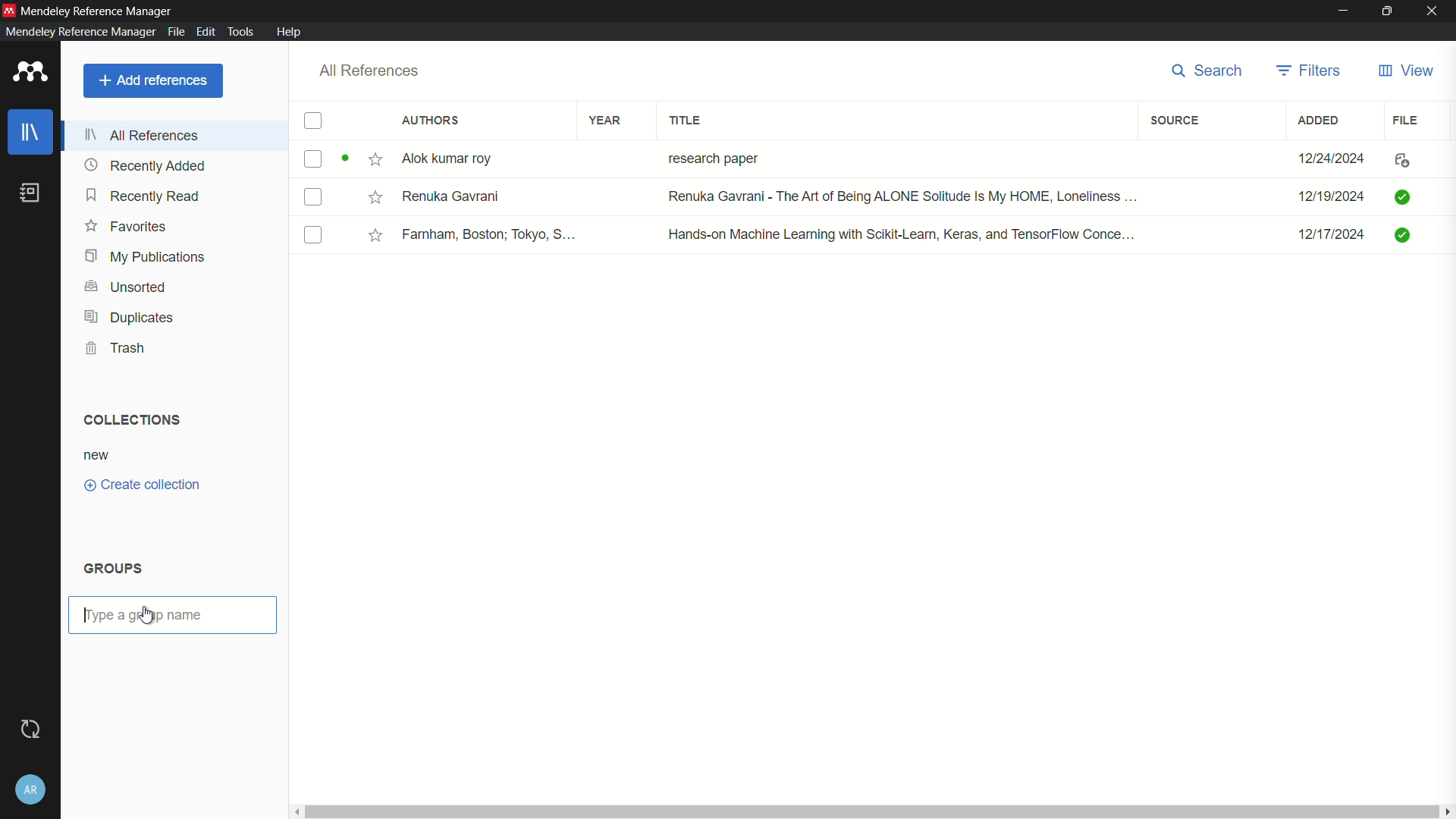 The height and width of the screenshot is (819, 1456). Describe the element at coordinates (605, 120) in the screenshot. I see `year` at that location.